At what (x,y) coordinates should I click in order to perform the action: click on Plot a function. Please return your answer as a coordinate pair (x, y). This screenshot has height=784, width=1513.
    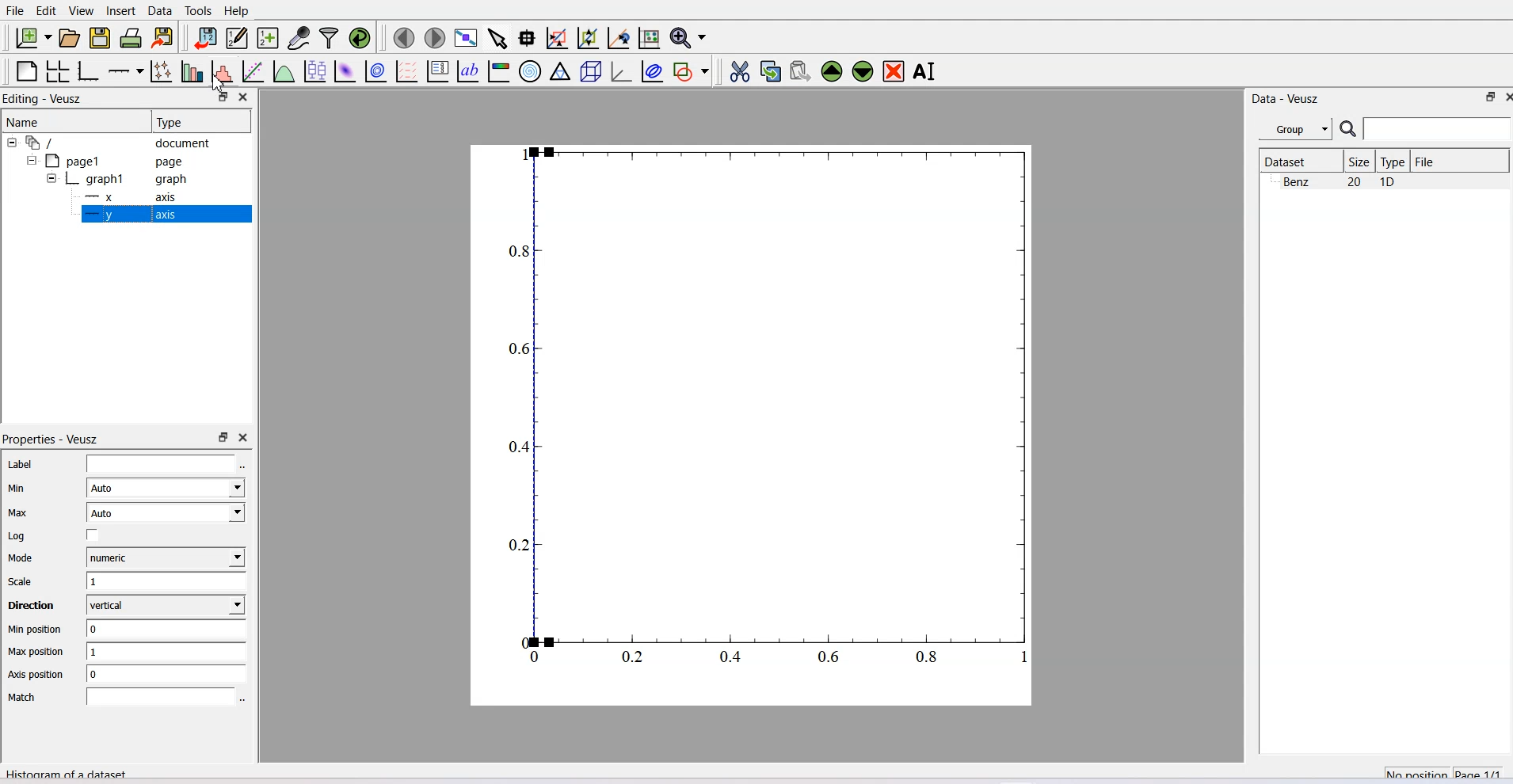
    Looking at the image, I should click on (285, 70).